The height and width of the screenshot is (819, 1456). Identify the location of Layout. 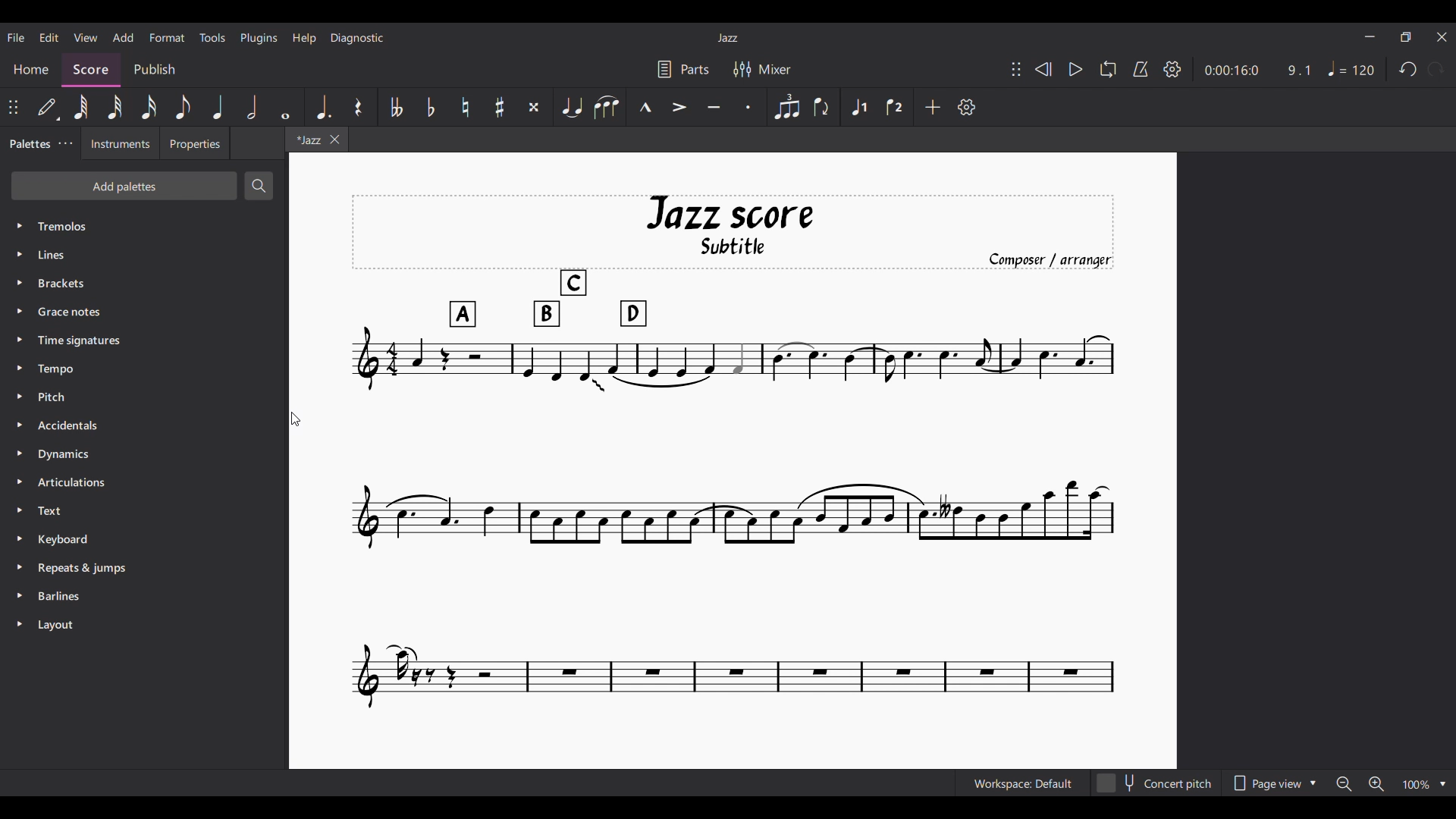
(144, 625).